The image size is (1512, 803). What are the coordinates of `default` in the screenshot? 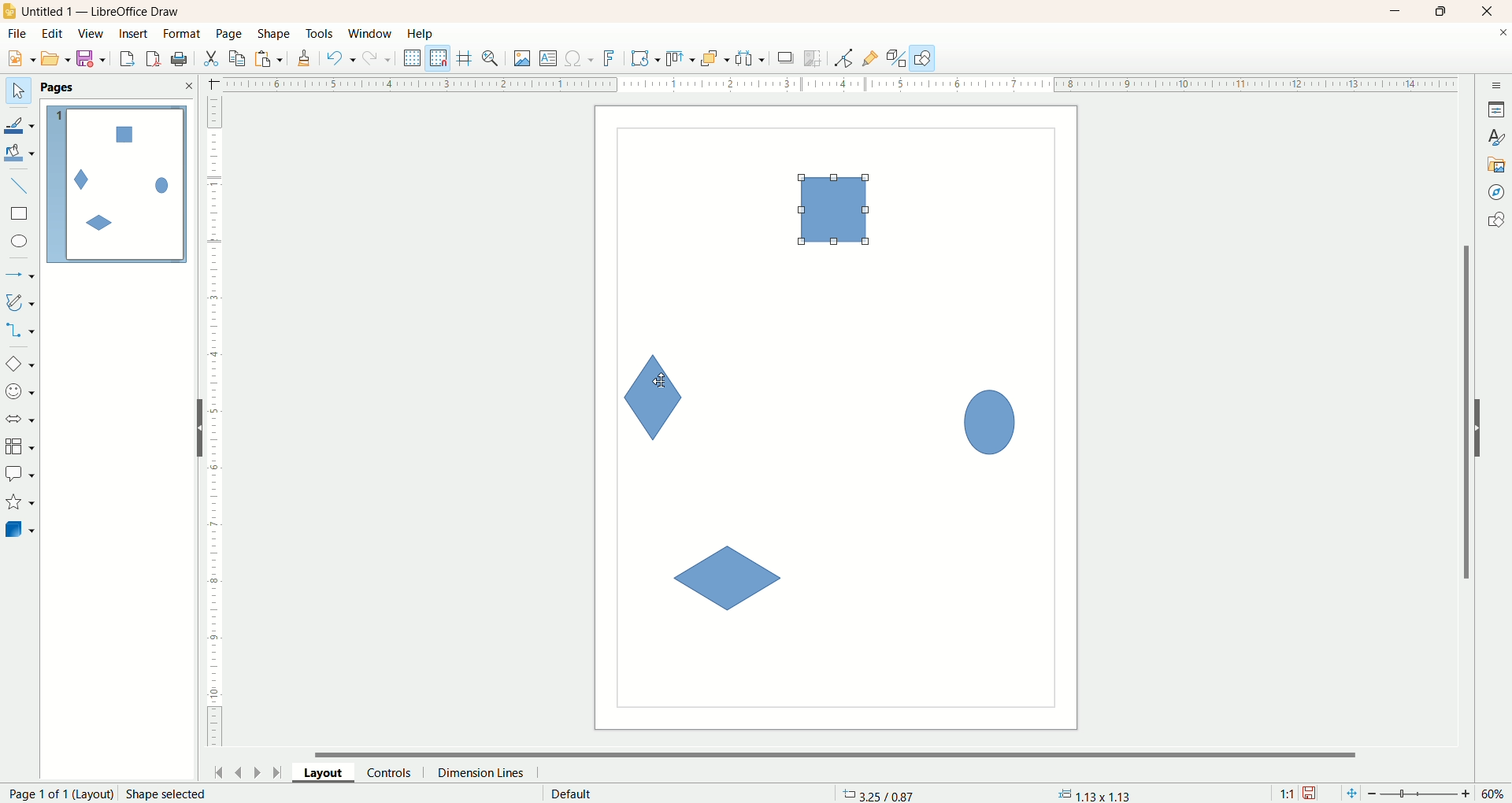 It's located at (573, 794).